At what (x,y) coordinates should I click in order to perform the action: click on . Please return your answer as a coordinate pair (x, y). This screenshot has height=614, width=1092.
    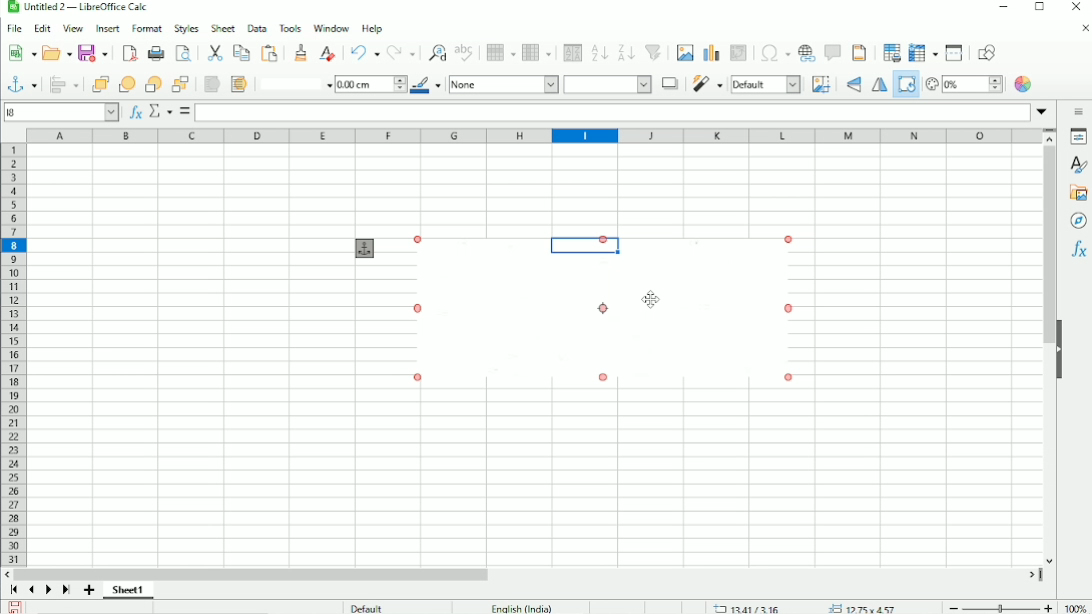
    Looking at the image, I should click on (181, 84).